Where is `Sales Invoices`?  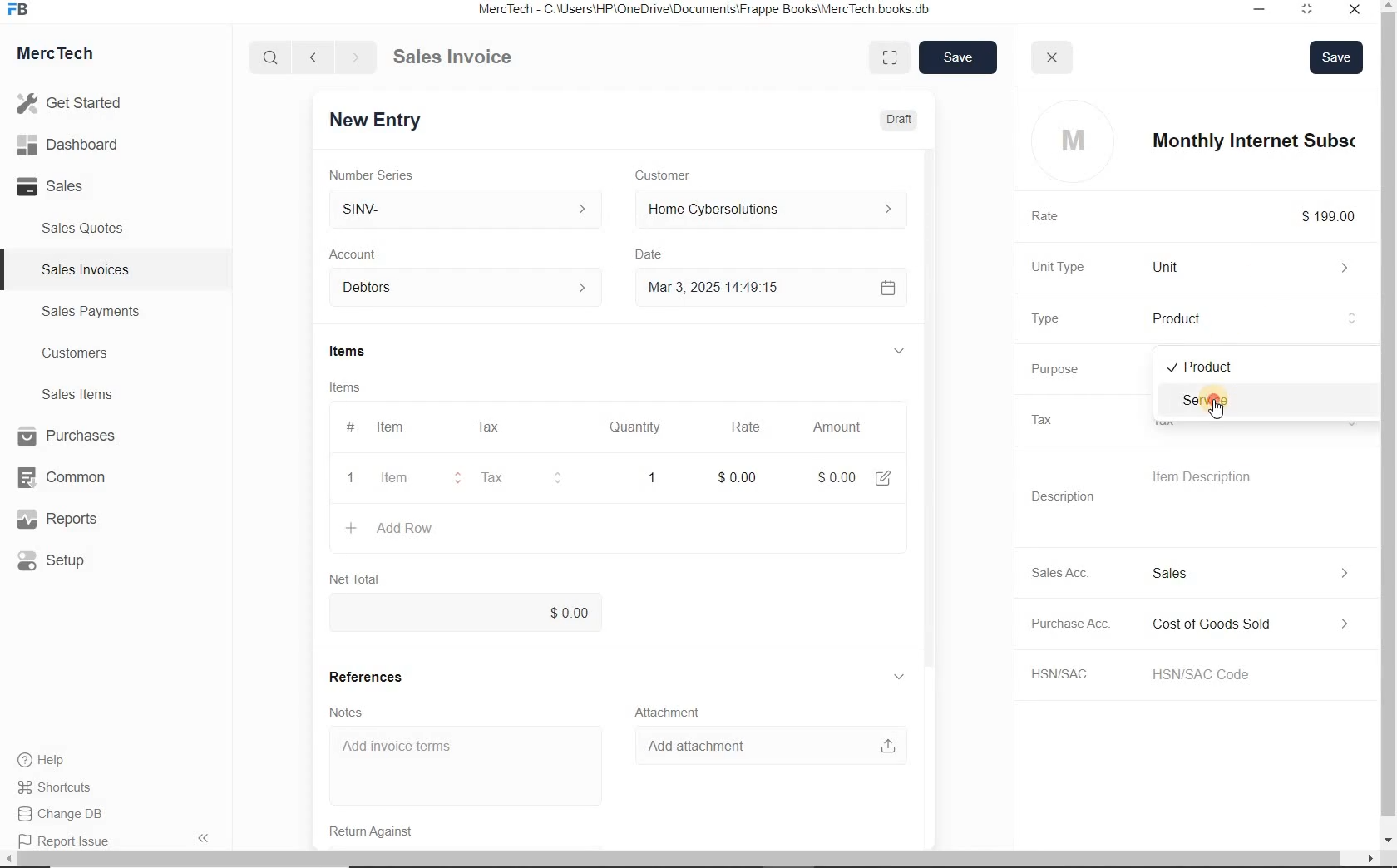
Sales Invoices is located at coordinates (86, 269).